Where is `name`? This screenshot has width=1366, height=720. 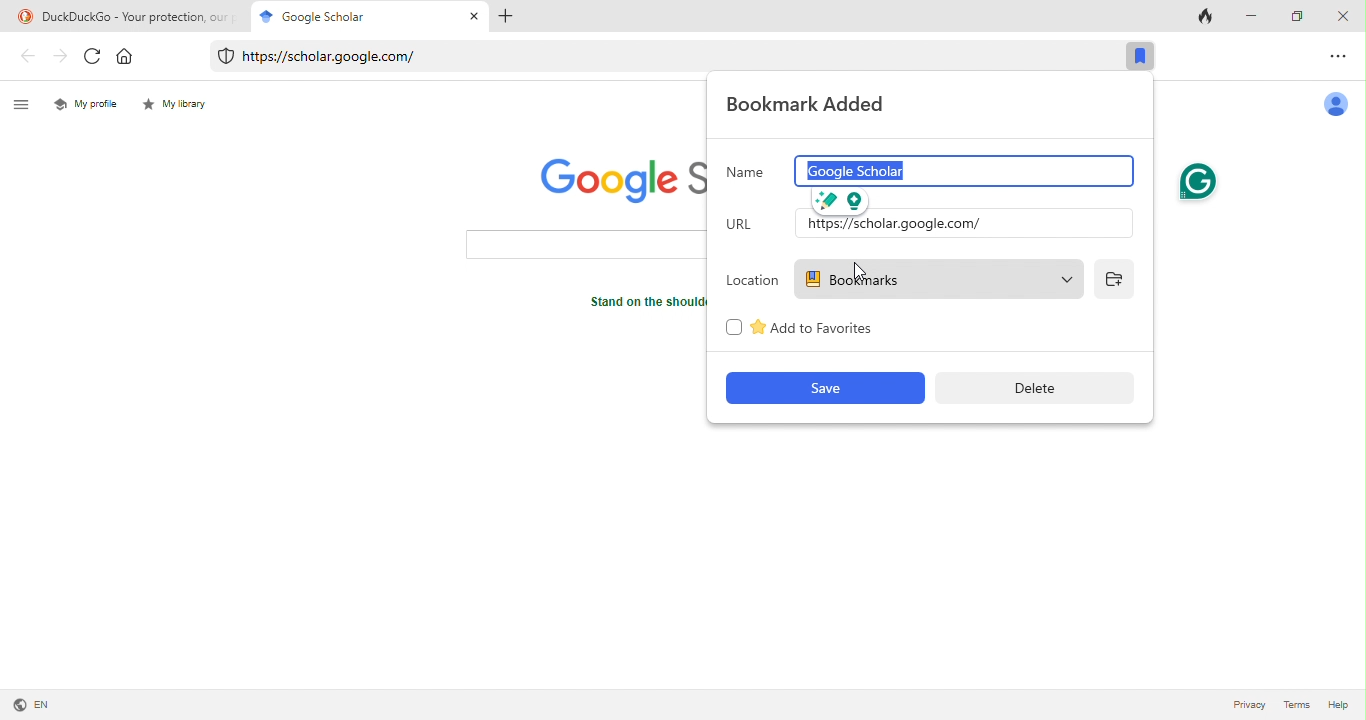
name is located at coordinates (748, 173).